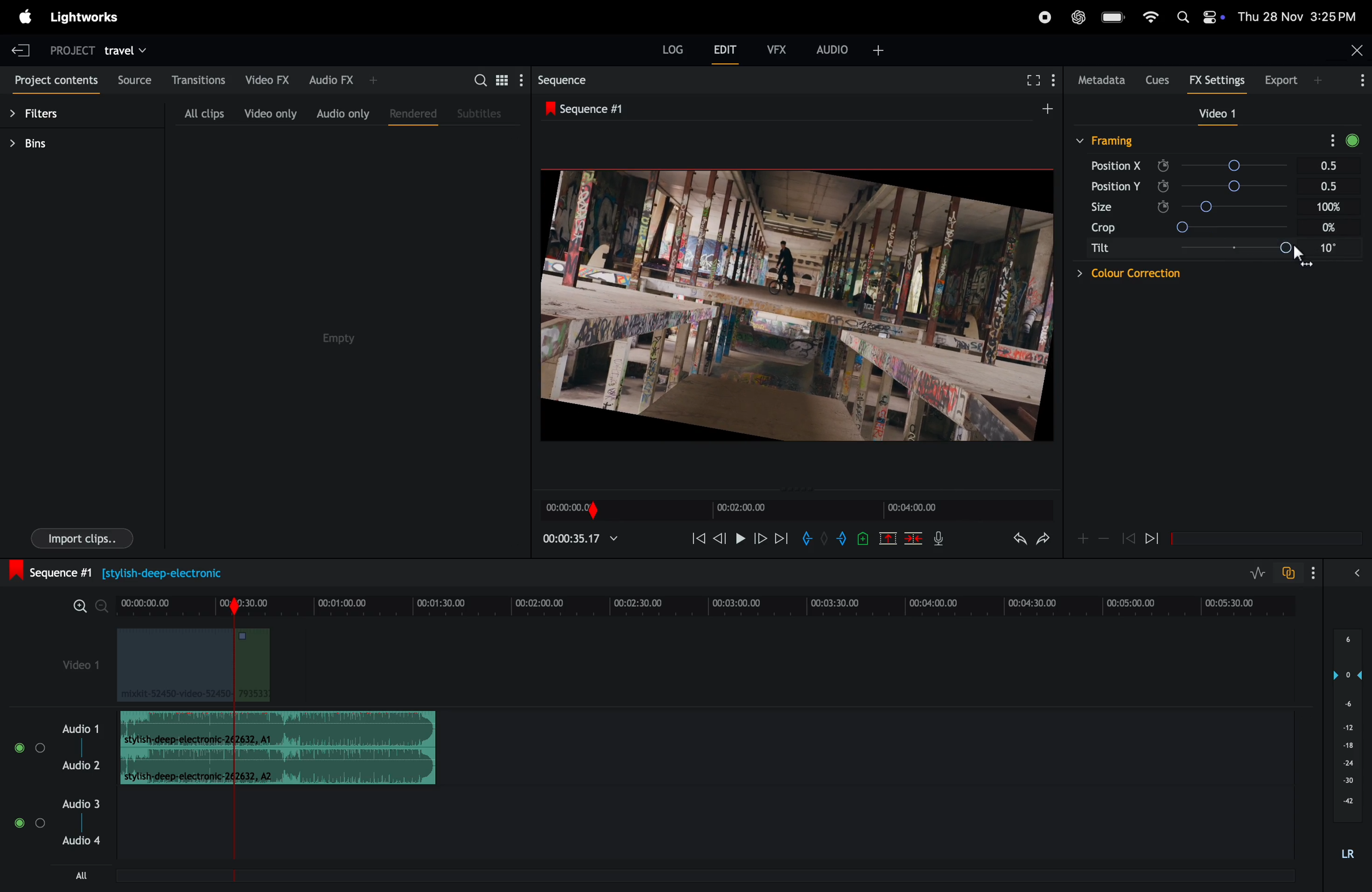 The height and width of the screenshot is (892, 1372). I want to click on battery, so click(1111, 17).